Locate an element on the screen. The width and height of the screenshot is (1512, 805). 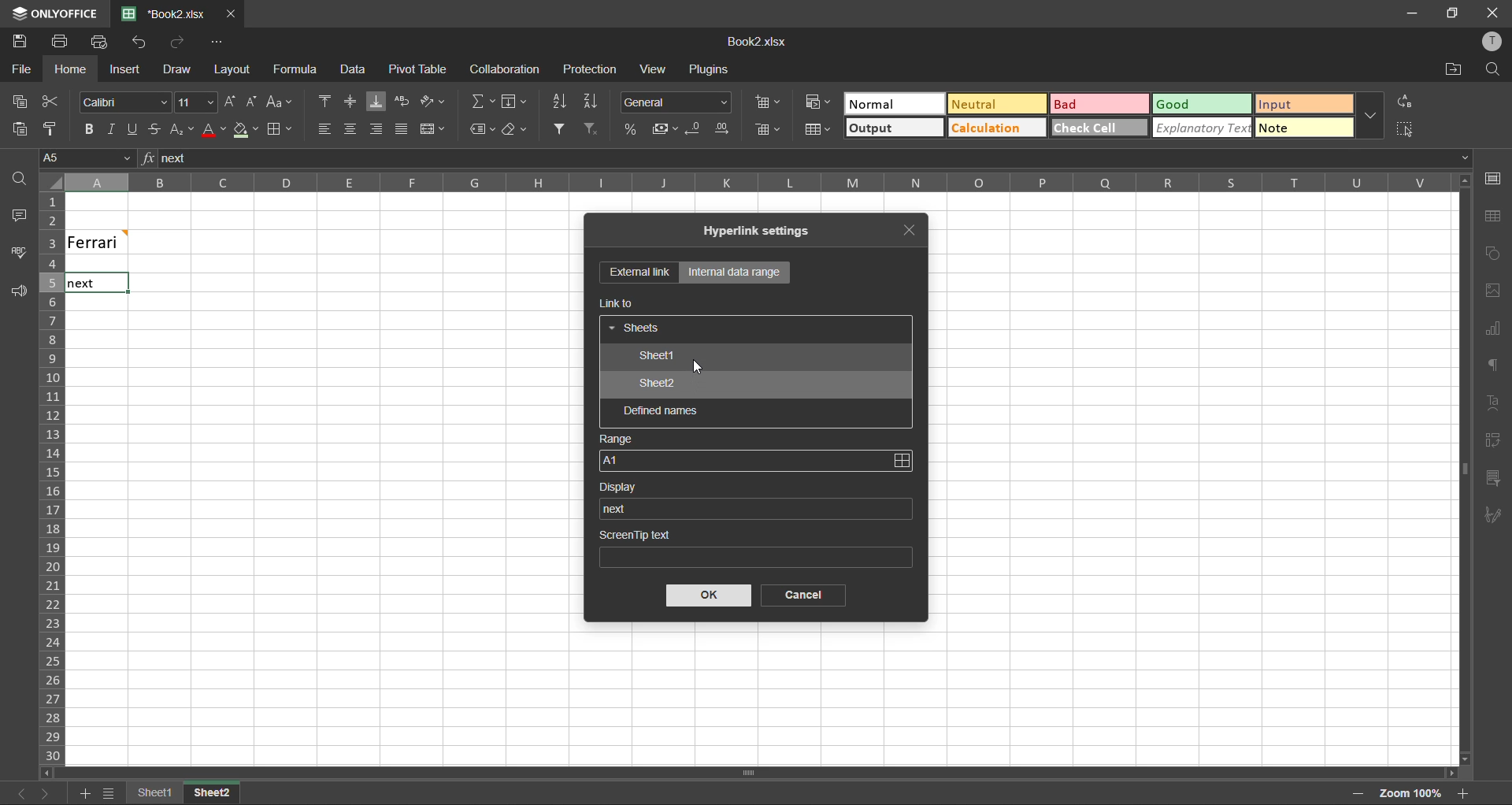
align bottom is located at coordinates (380, 102).